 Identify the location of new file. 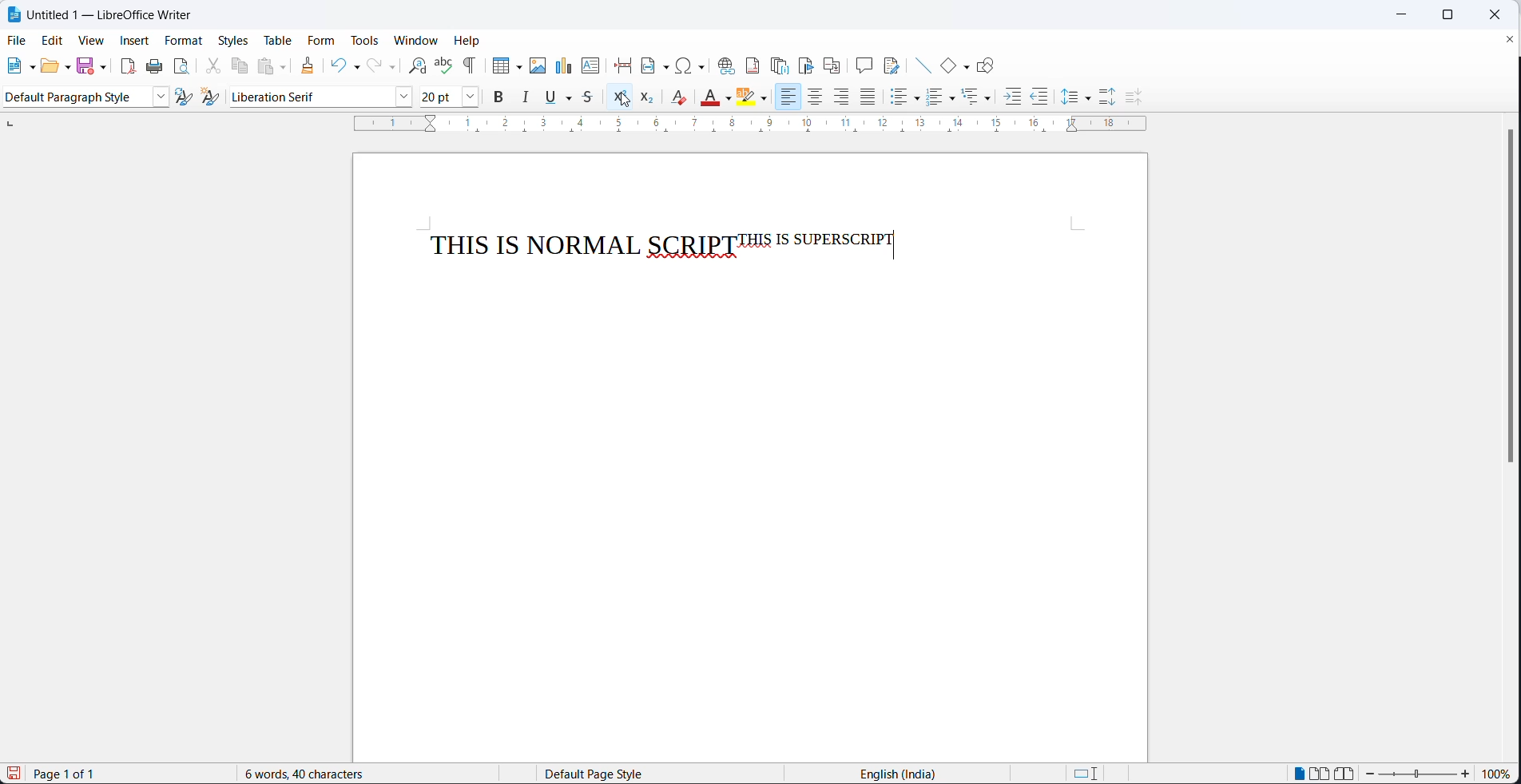
(10, 67).